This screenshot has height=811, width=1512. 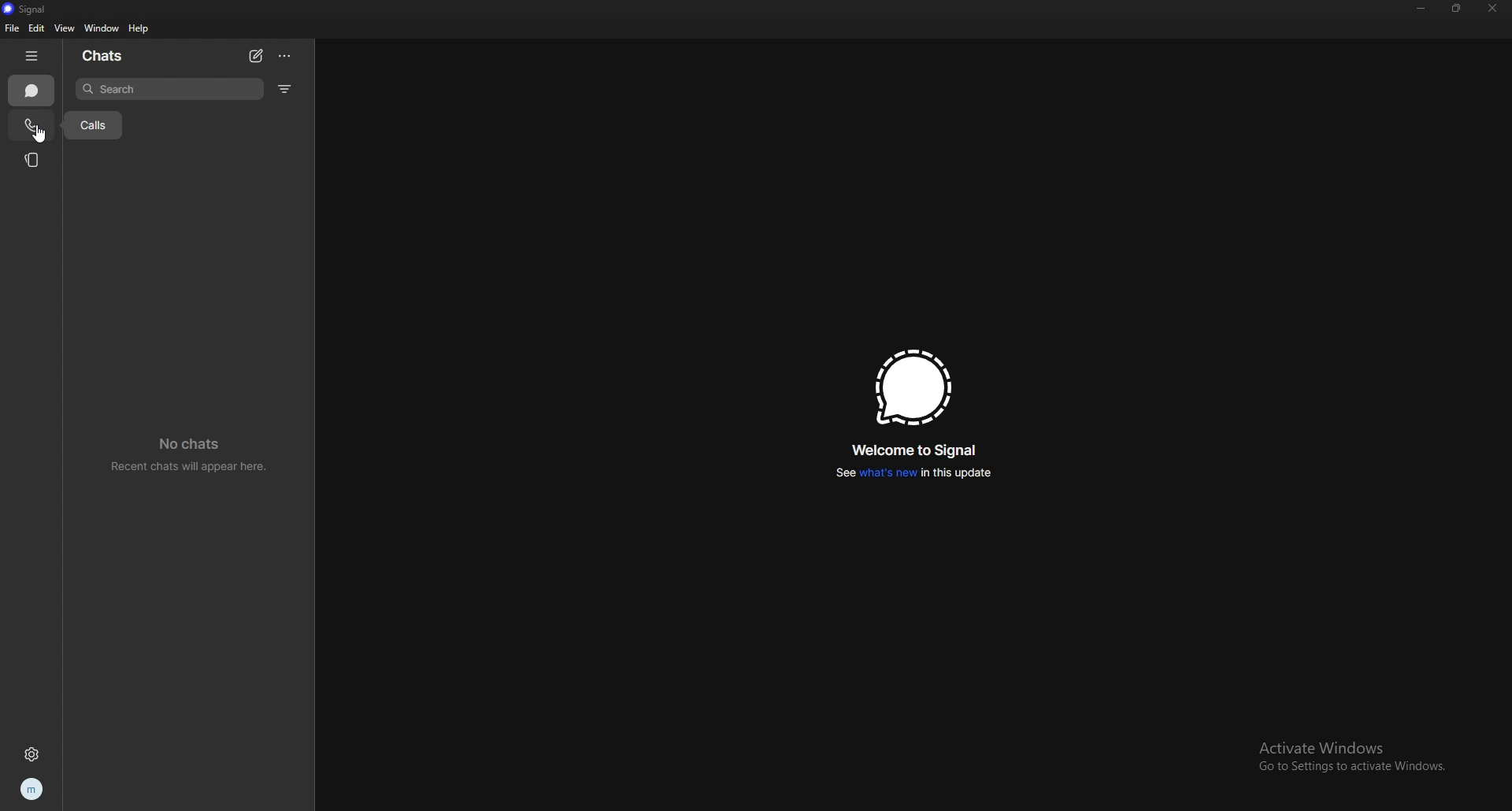 I want to click on close, so click(x=1495, y=9).